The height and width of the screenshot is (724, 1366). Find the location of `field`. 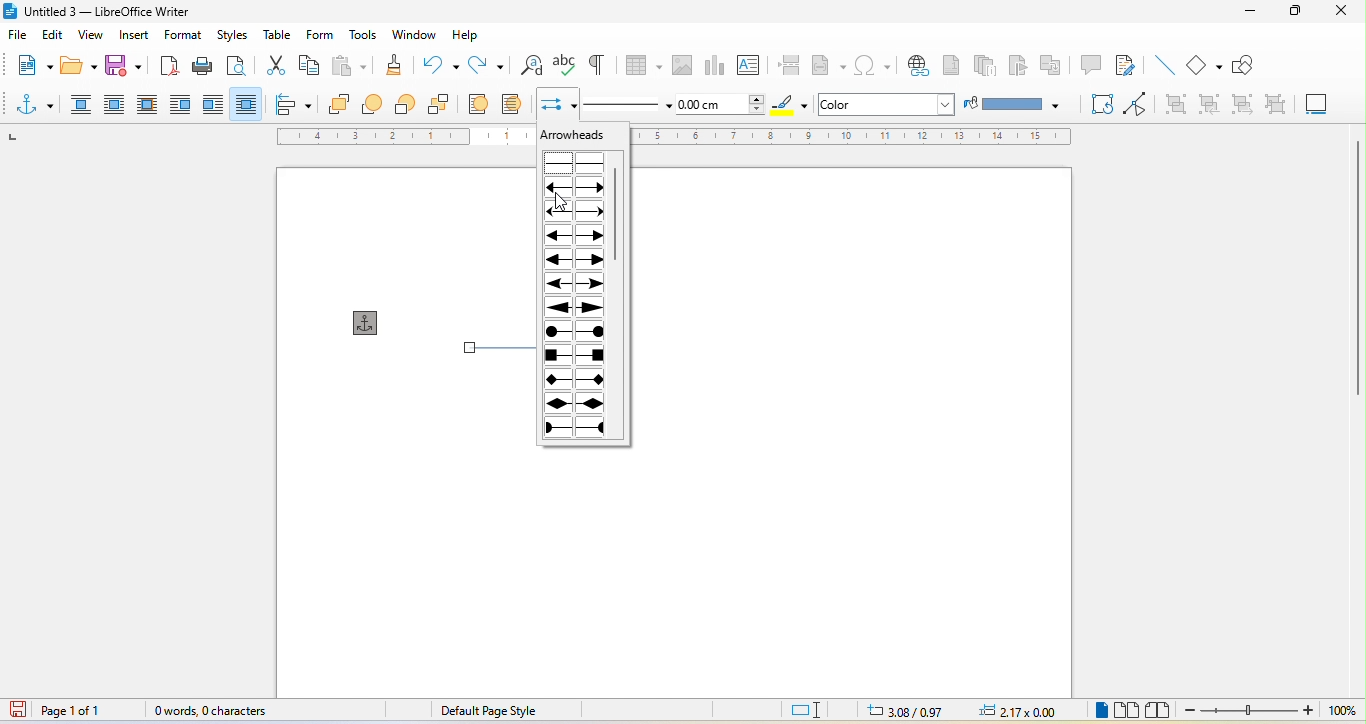

field is located at coordinates (829, 67).